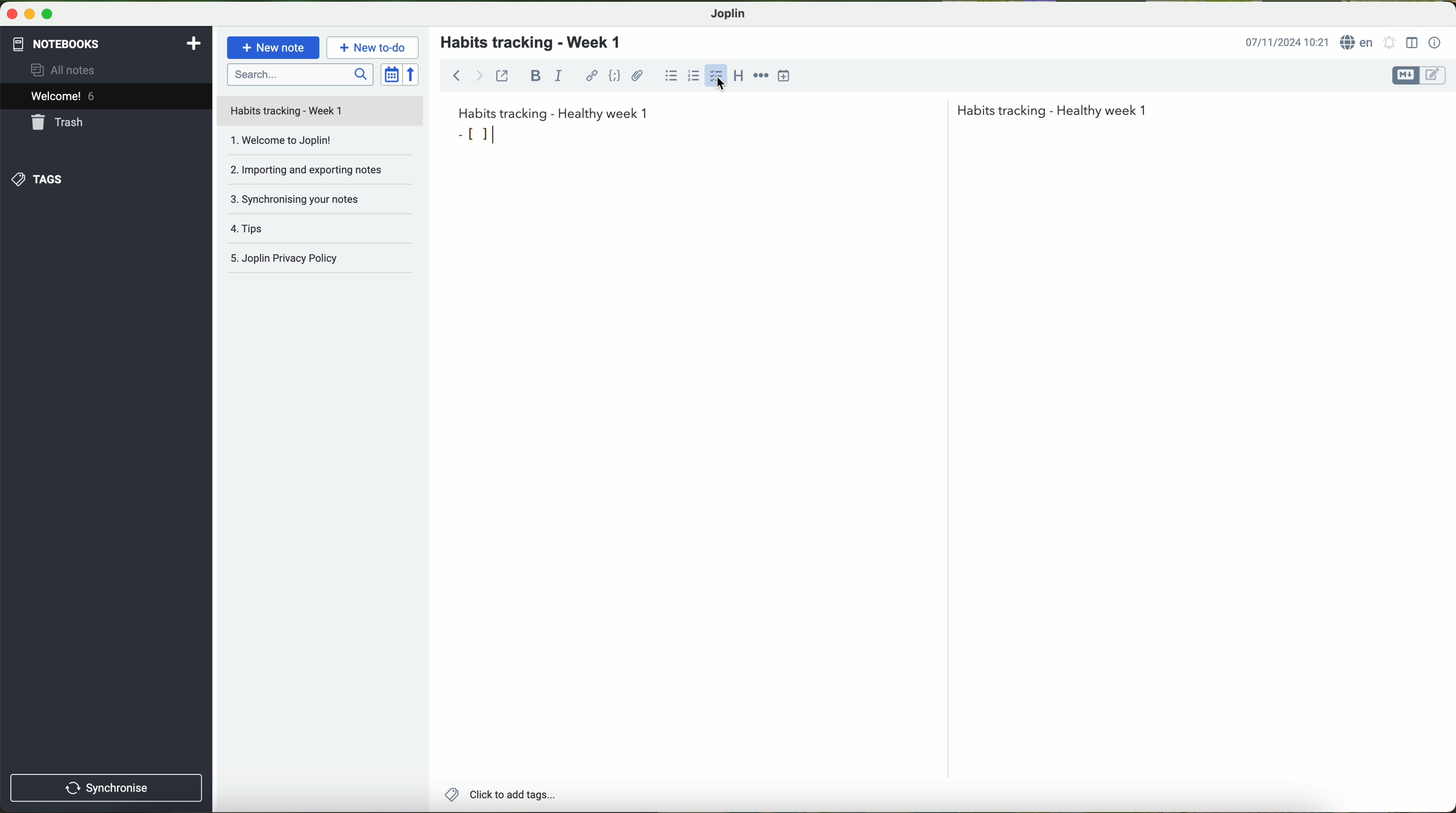  Describe the element at coordinates (105, 789) in the screenshot. I see `synchronnise button` at that location.